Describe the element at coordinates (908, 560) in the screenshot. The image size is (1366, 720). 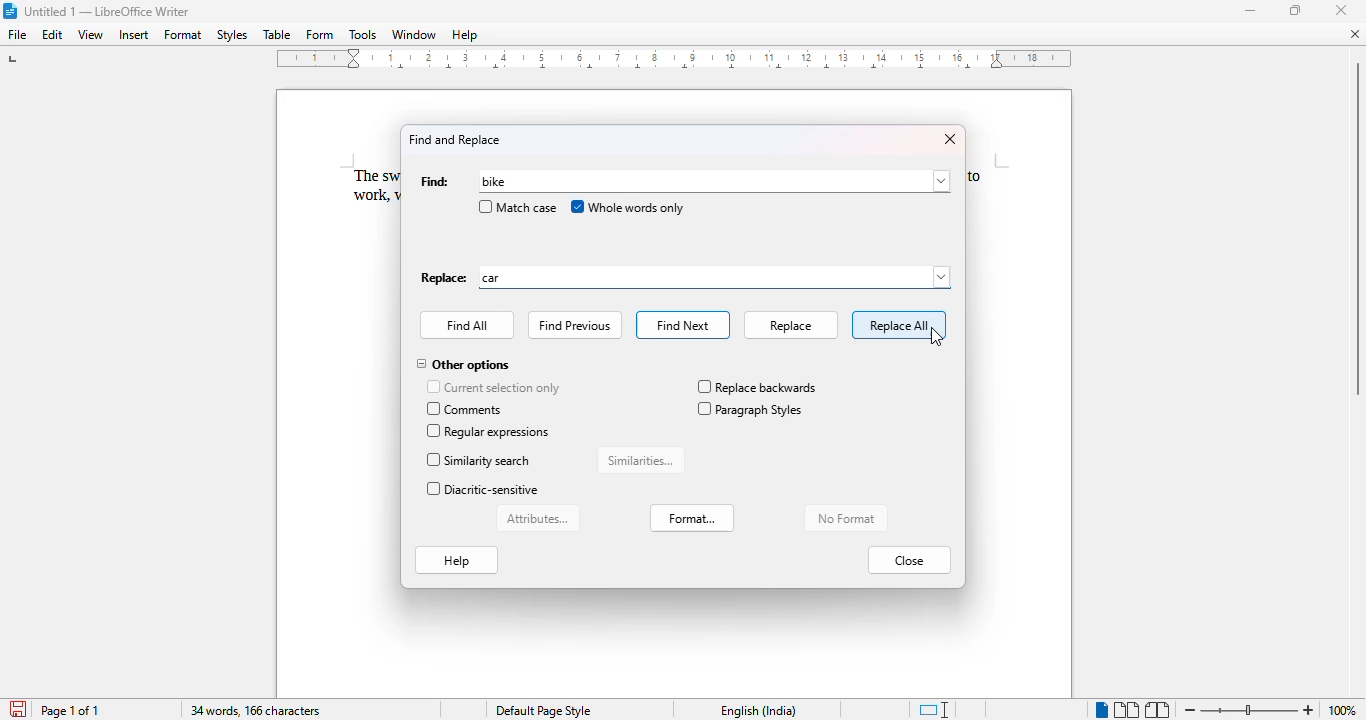
I see `close` at that location.